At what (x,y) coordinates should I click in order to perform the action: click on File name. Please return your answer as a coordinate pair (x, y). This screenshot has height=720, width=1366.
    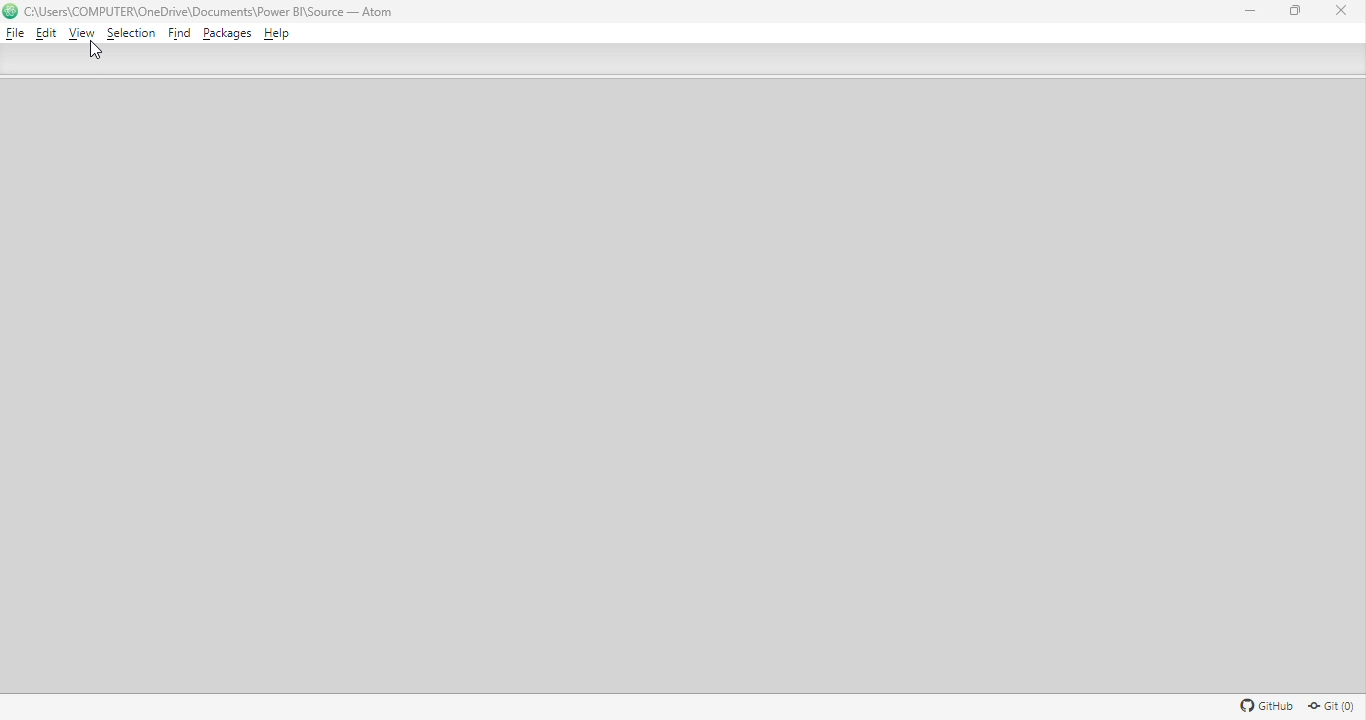
    Looking at the image, I should click on (215, 12).